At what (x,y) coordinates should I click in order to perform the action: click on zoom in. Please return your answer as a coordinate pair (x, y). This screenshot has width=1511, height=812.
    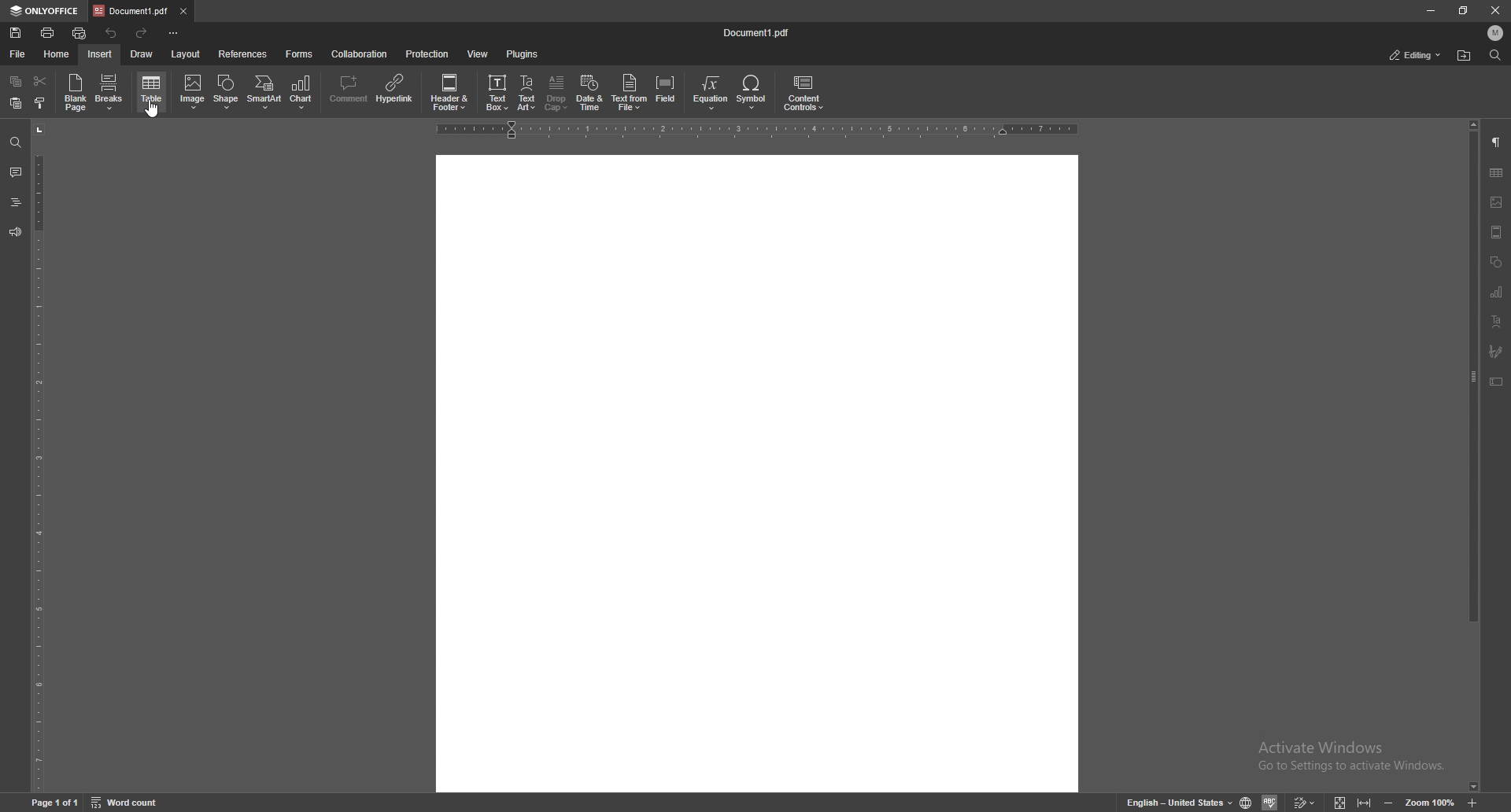
    Looking at the image, I should click on (1473, 802).